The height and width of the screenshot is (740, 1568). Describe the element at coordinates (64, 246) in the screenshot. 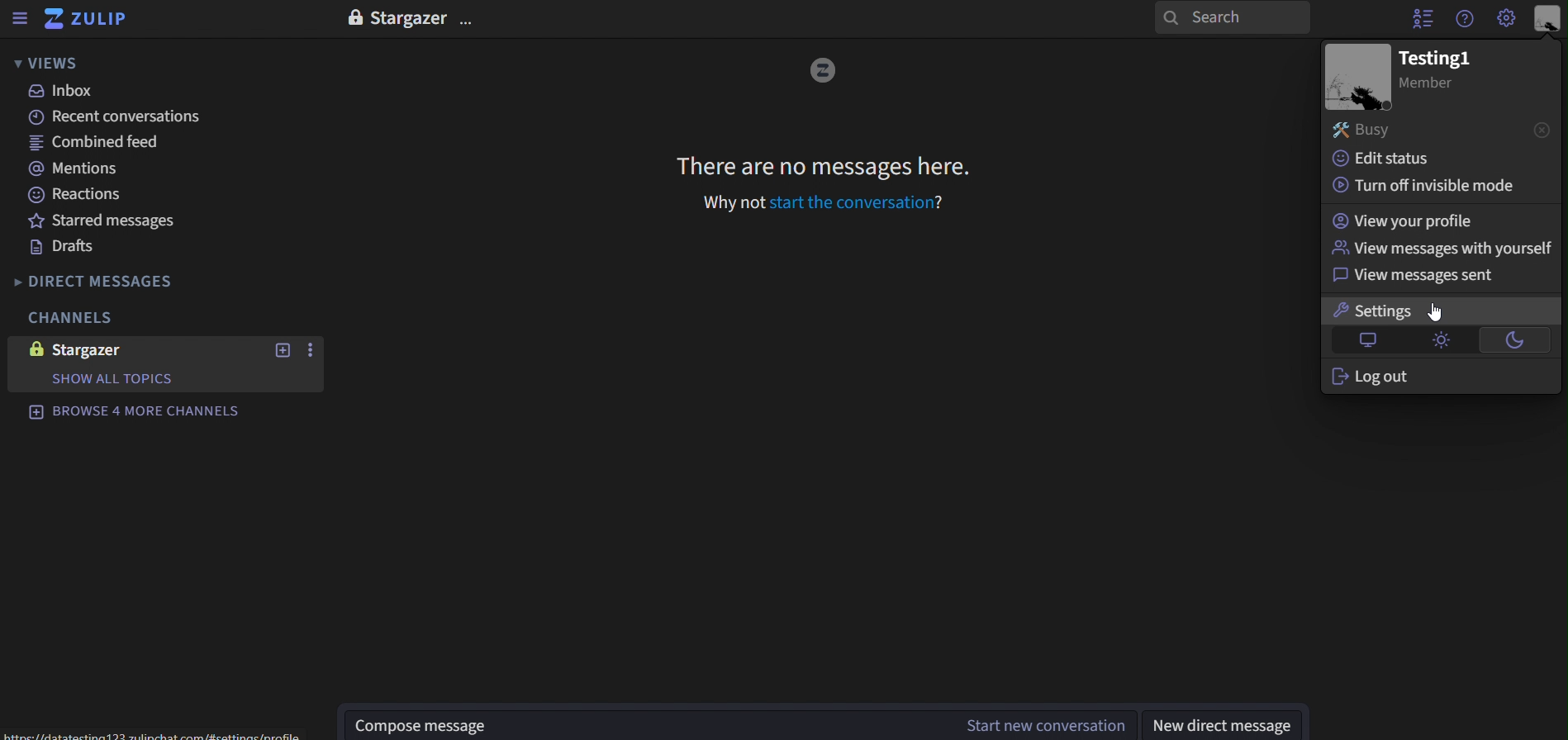

I see `drafts` at that location.